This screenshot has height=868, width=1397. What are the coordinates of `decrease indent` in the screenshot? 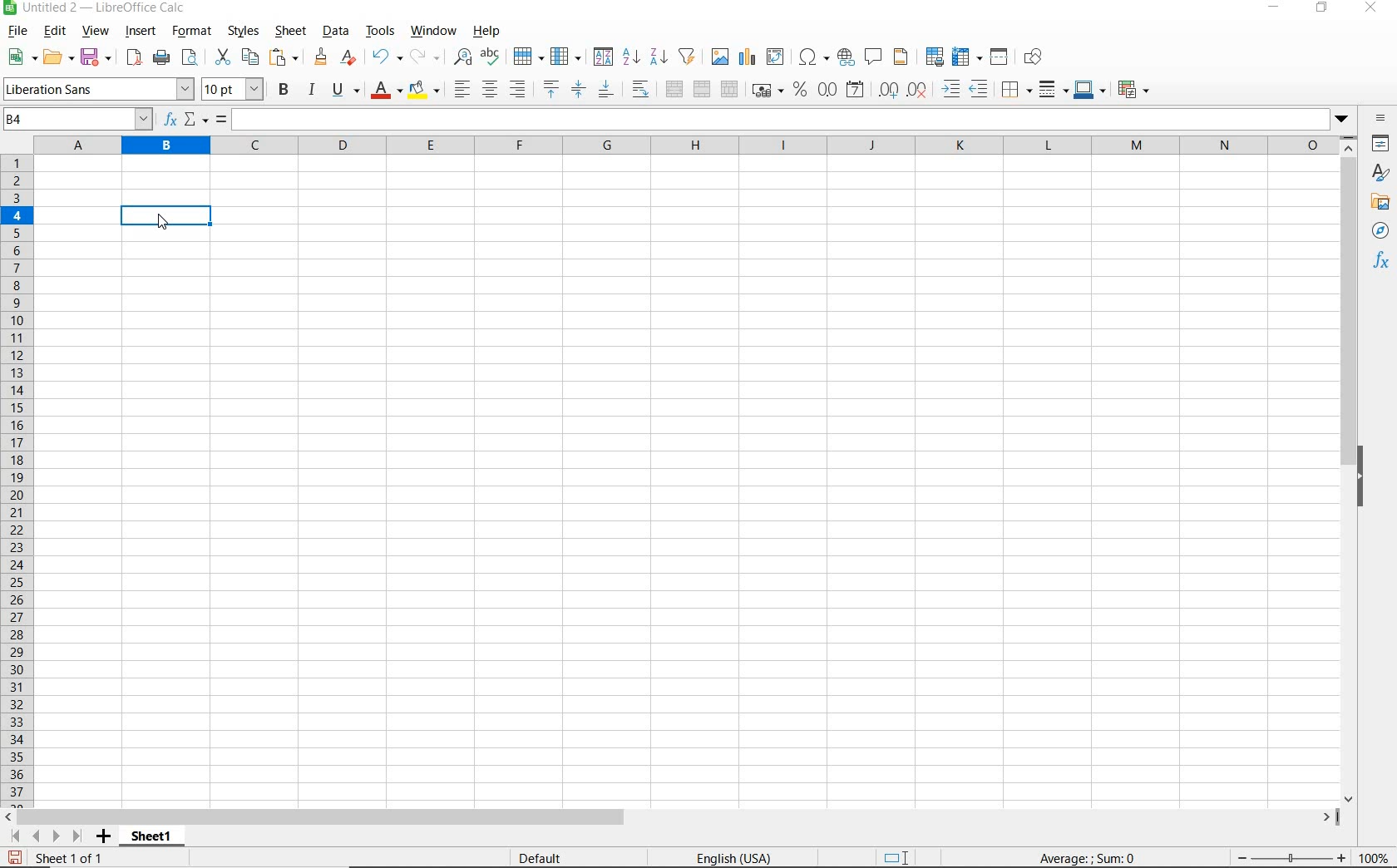 It's located at (981, 88).